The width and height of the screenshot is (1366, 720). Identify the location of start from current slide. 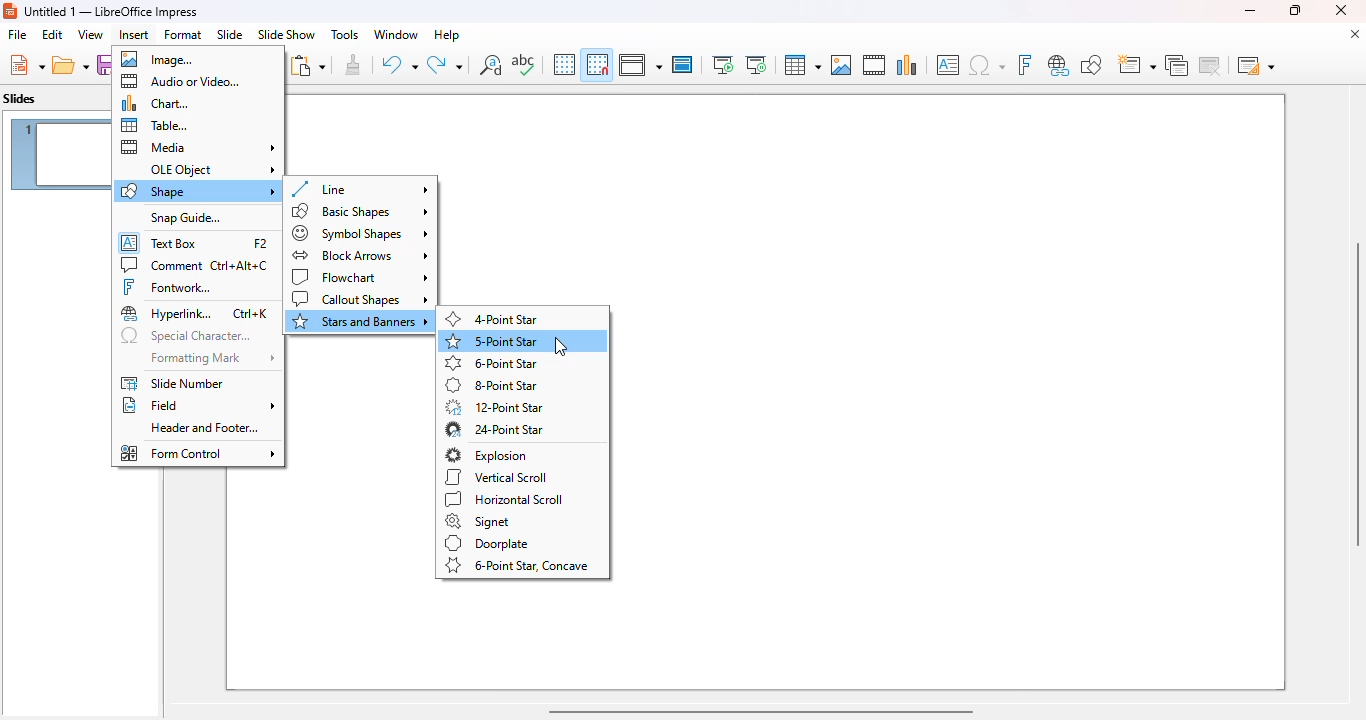
(756, 65).